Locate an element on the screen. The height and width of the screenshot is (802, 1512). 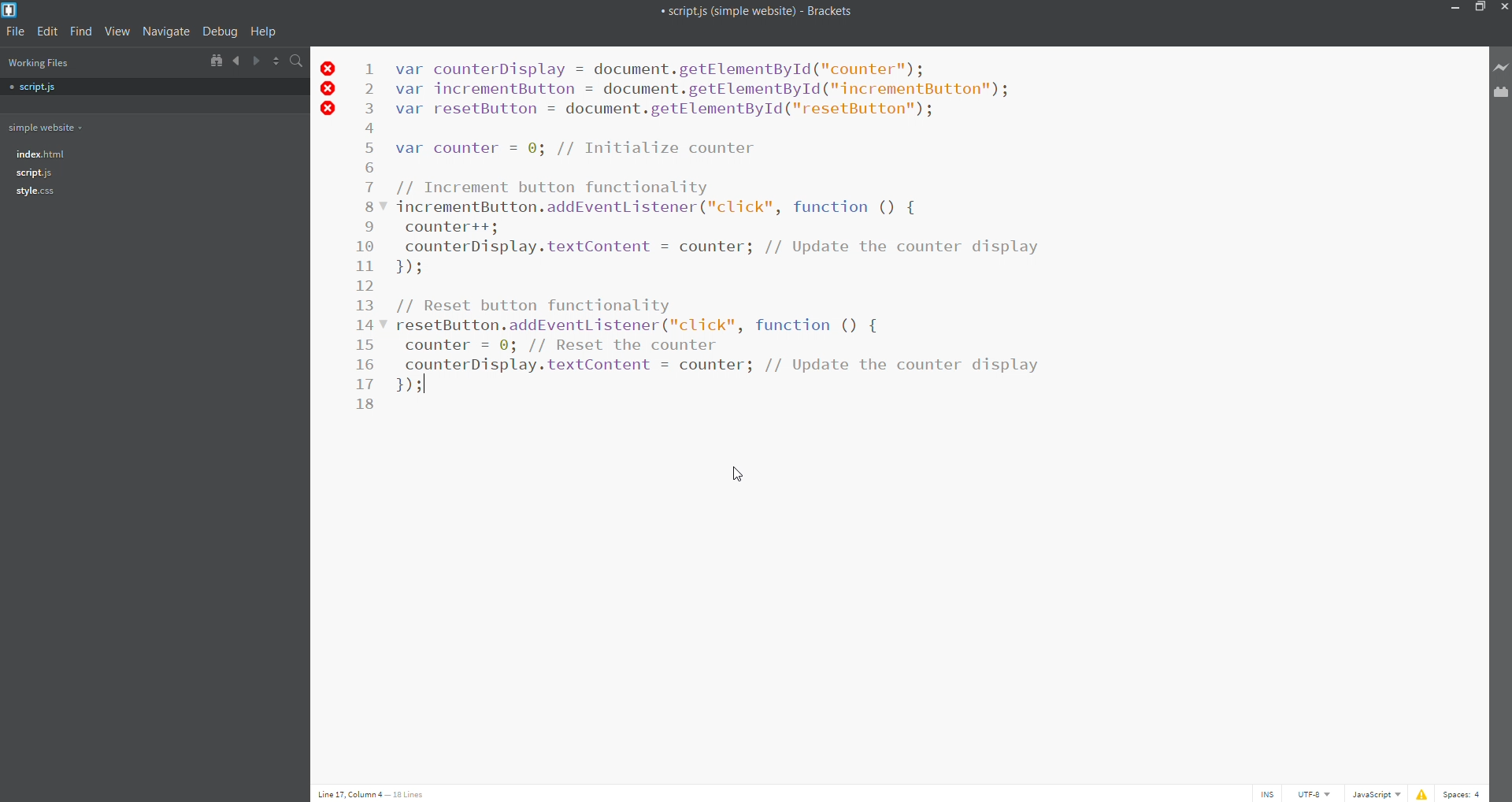
style.css is located at coordinates (36, 193).